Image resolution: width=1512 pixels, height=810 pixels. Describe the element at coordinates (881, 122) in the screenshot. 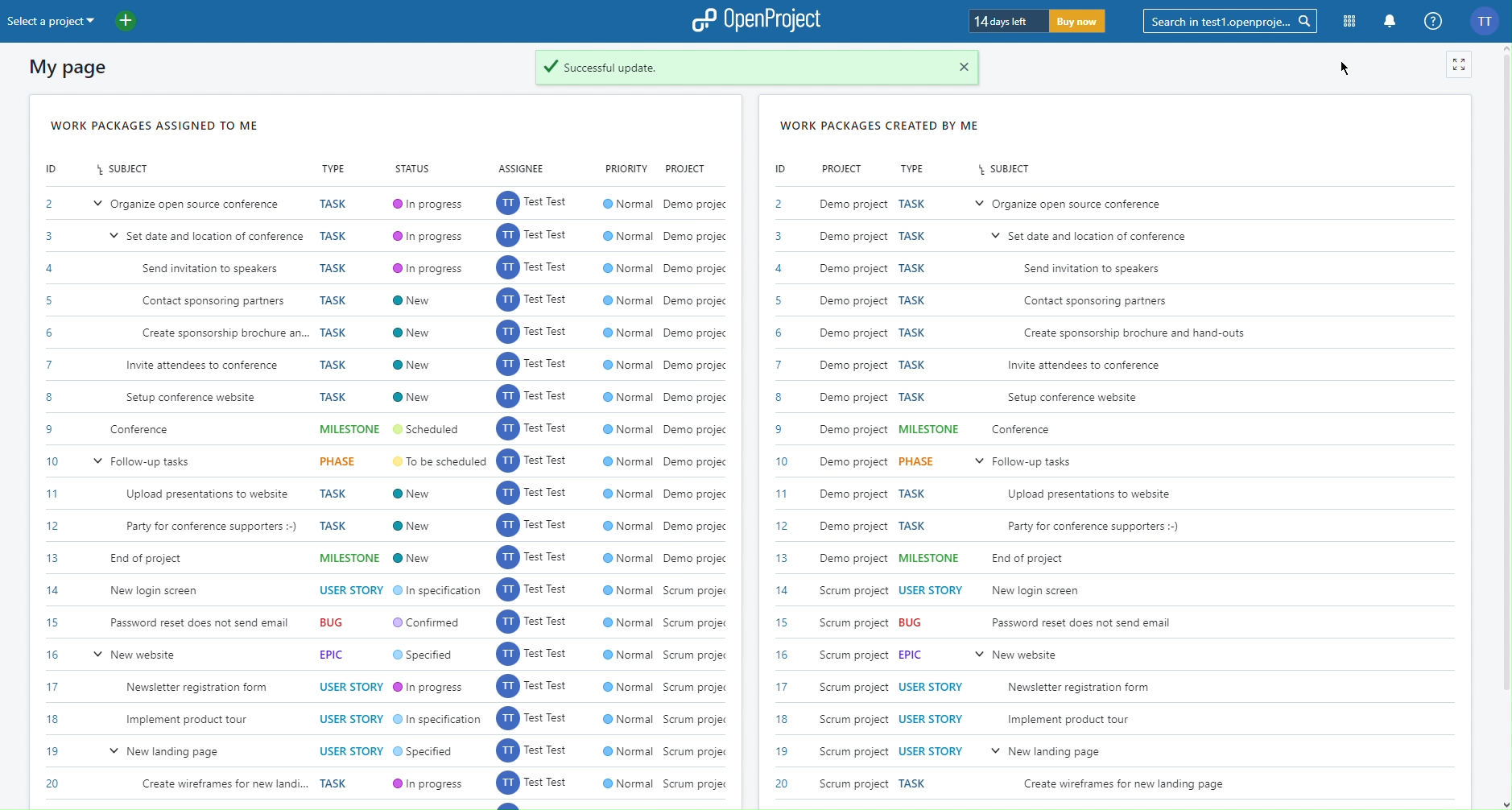

I see `Work Packages Created by Me` at that location.